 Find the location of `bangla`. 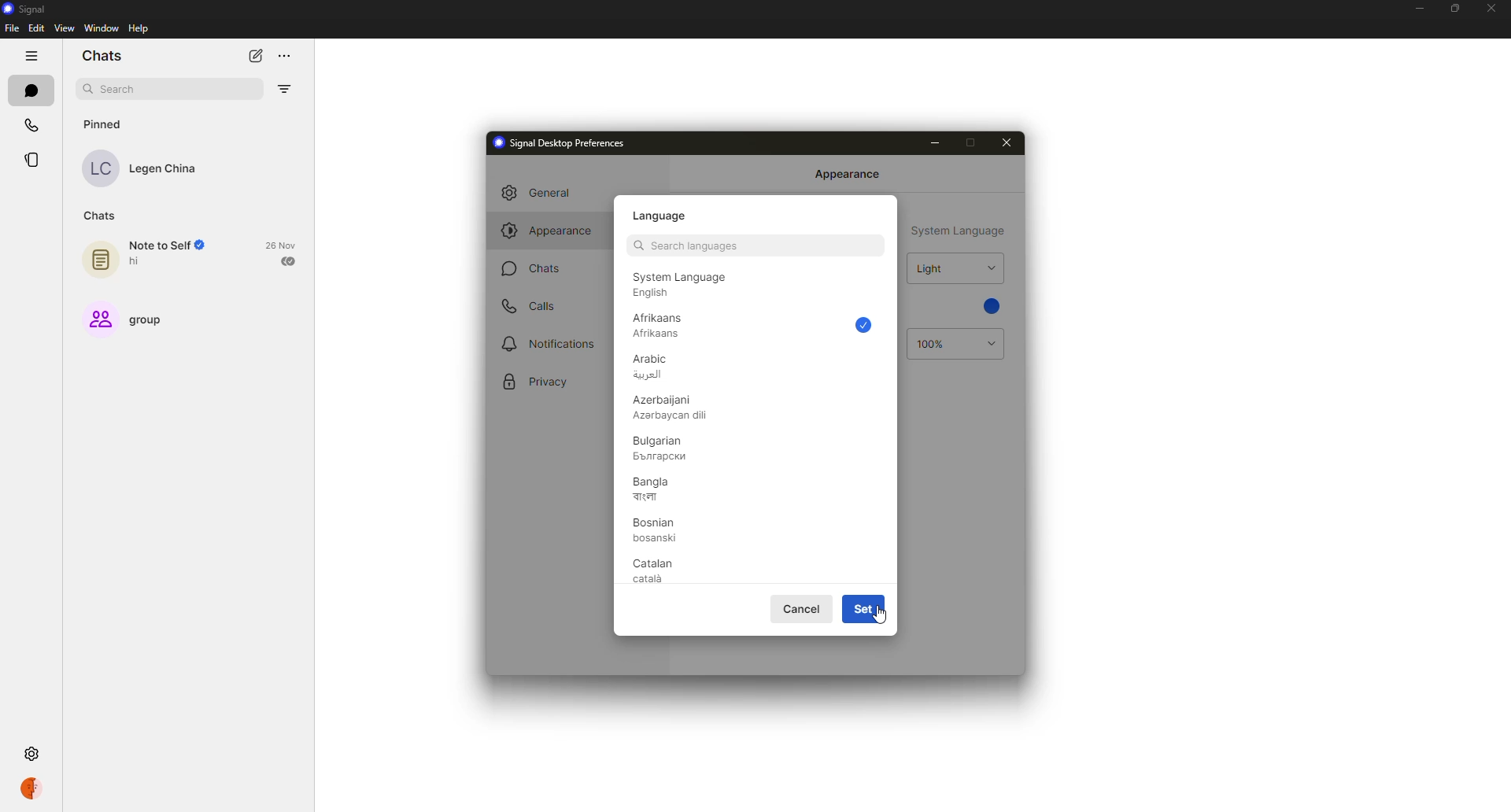

bangla is located at coordinates (657, 488).